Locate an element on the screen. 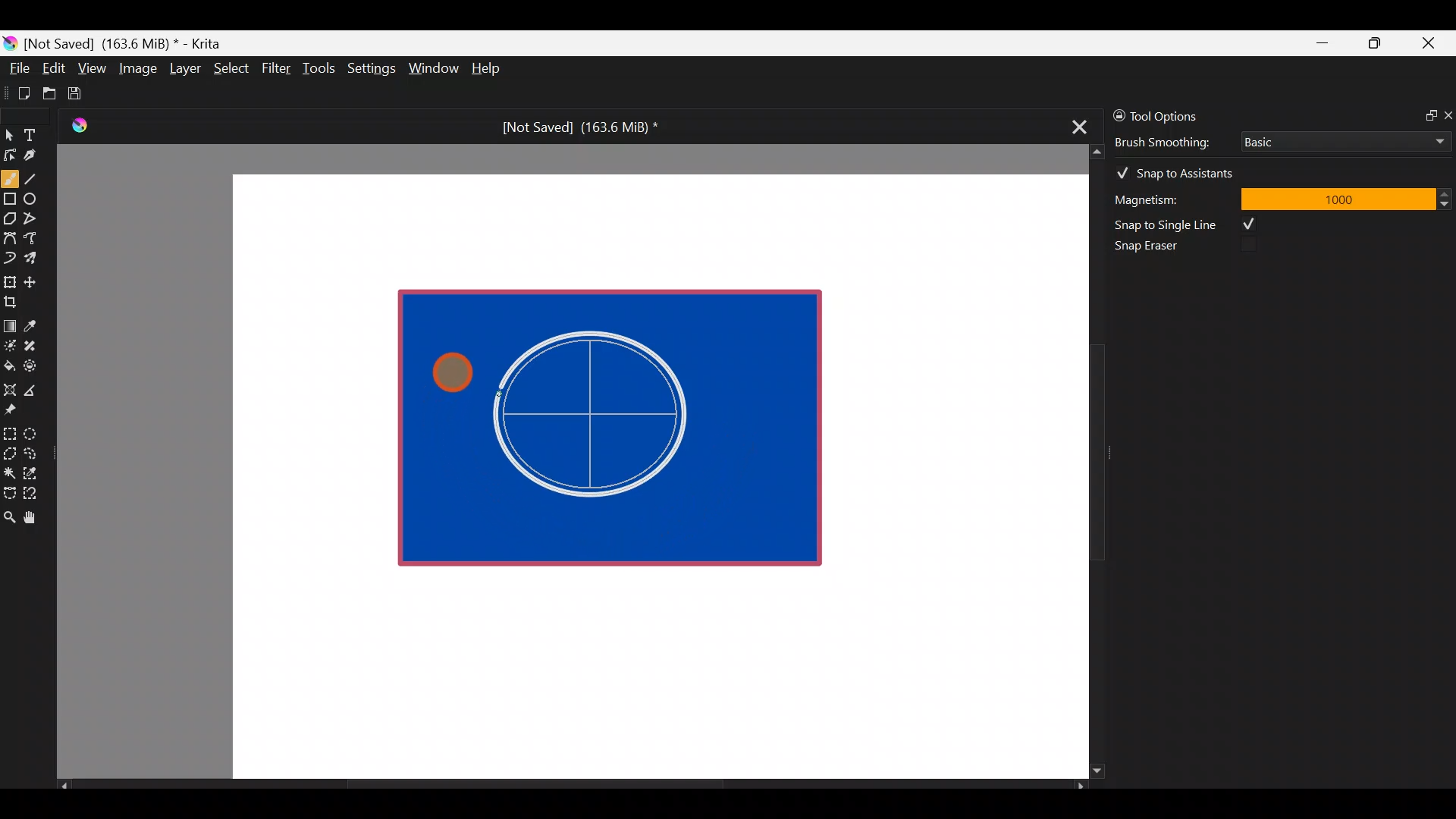 The image size is (1456, 819). Calligraphy is located at coordinates (41, 158).